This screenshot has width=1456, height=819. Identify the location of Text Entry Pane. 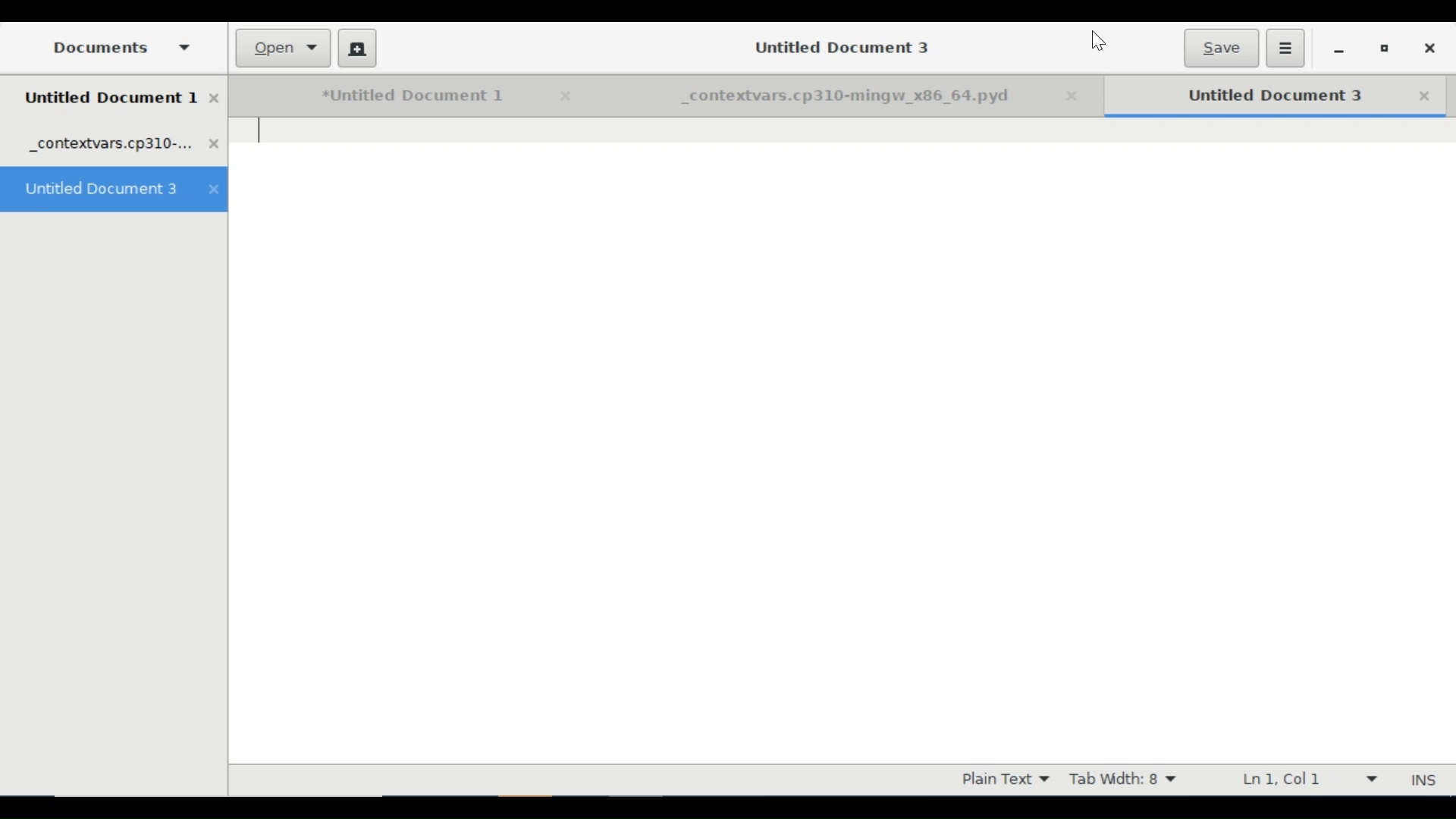
(843, 441).